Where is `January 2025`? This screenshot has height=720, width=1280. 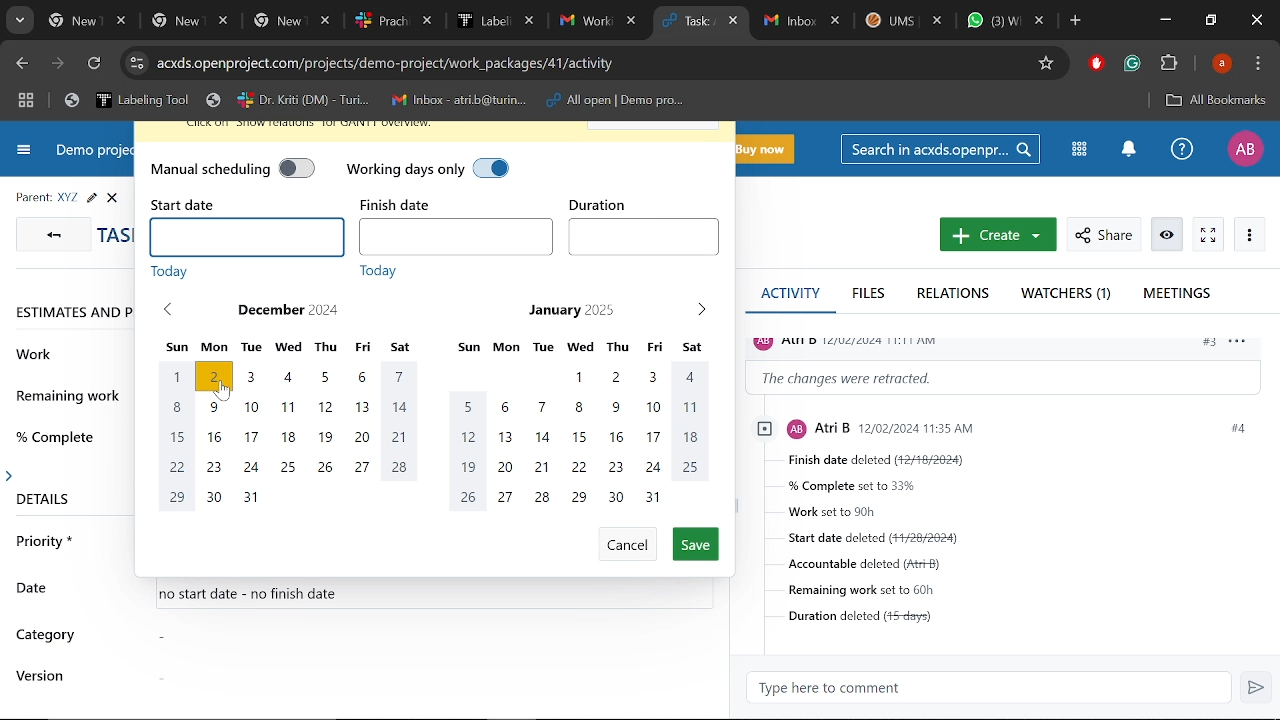 January 2025 is located at coordinates (571, 308).